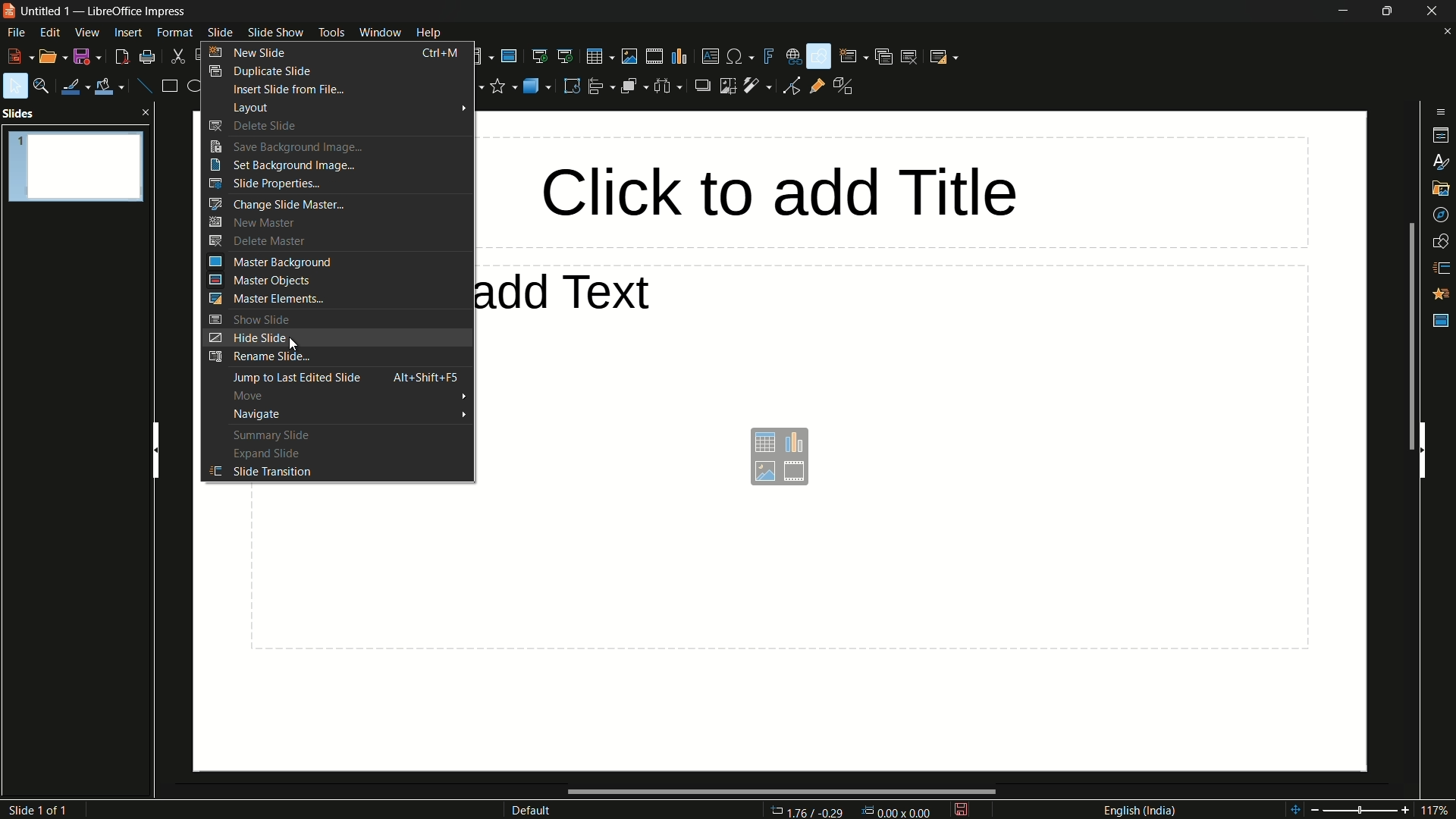 The height and width of the screenshot is (819, 1456). I want to click on insert hyperlink, so click(792, 56).